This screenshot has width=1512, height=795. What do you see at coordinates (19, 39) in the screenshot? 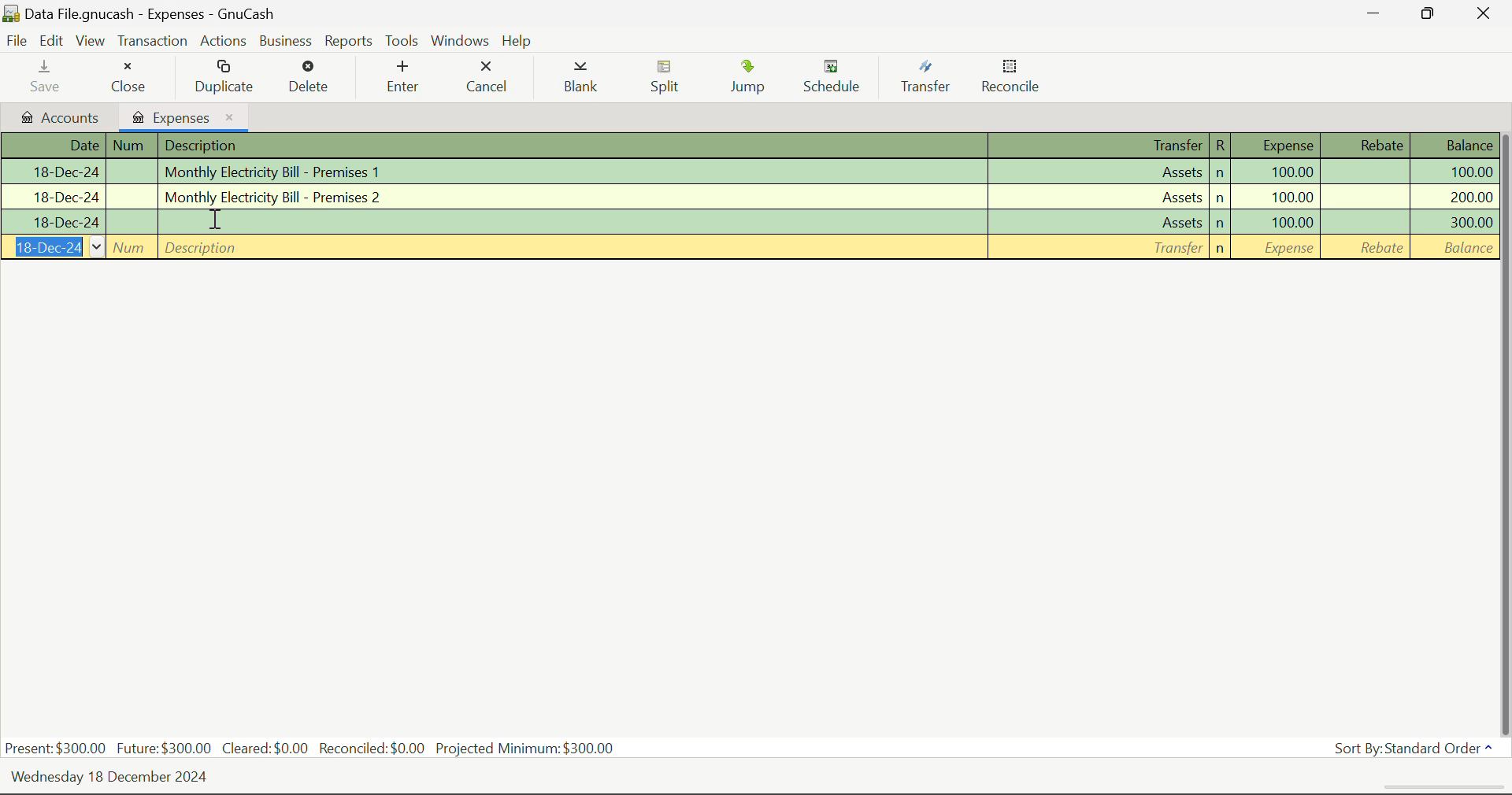
I see `File` at bounding box center [19, 39].